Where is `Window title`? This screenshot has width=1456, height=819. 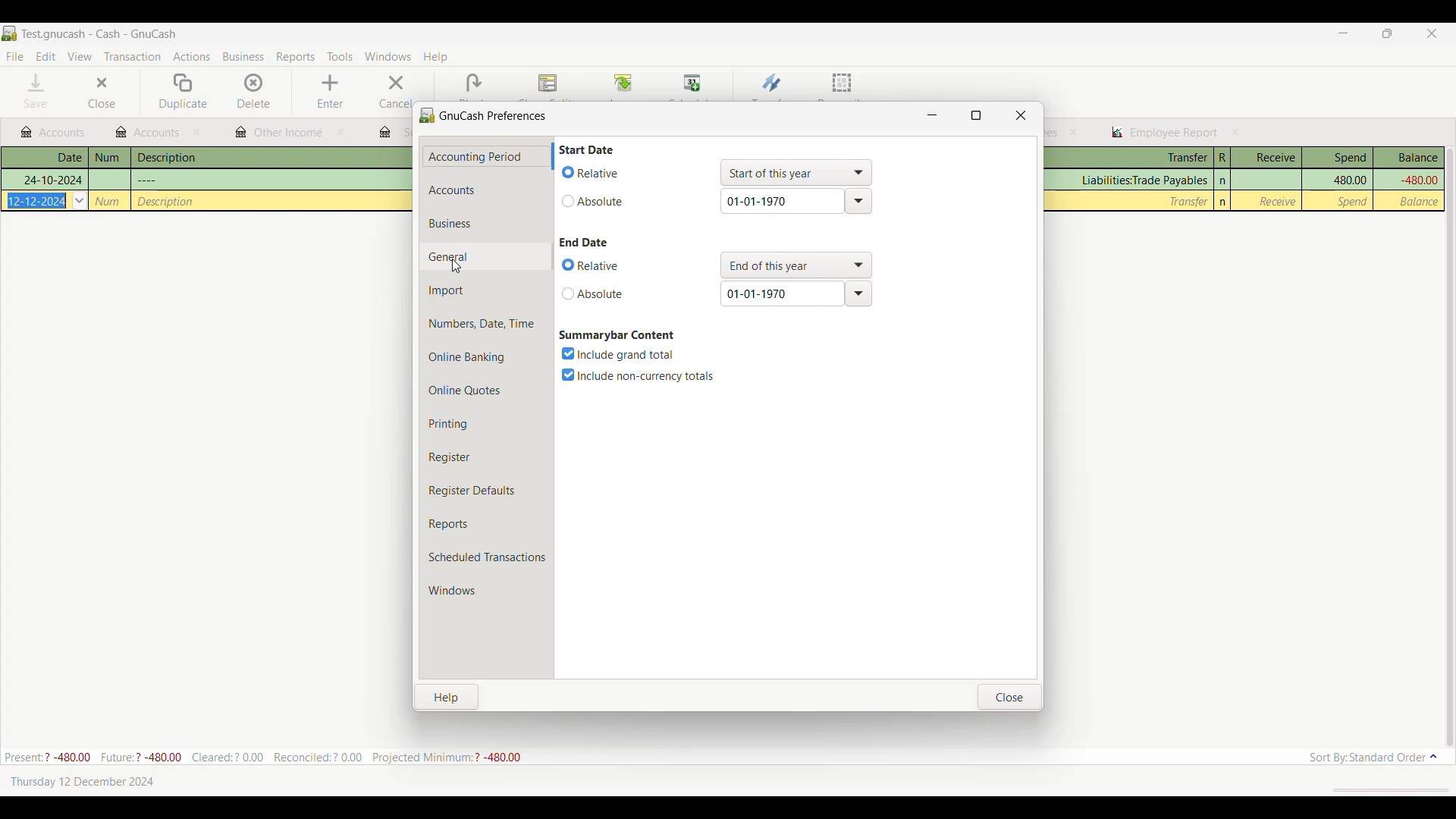 Window title is located at coordinates (485, 115).